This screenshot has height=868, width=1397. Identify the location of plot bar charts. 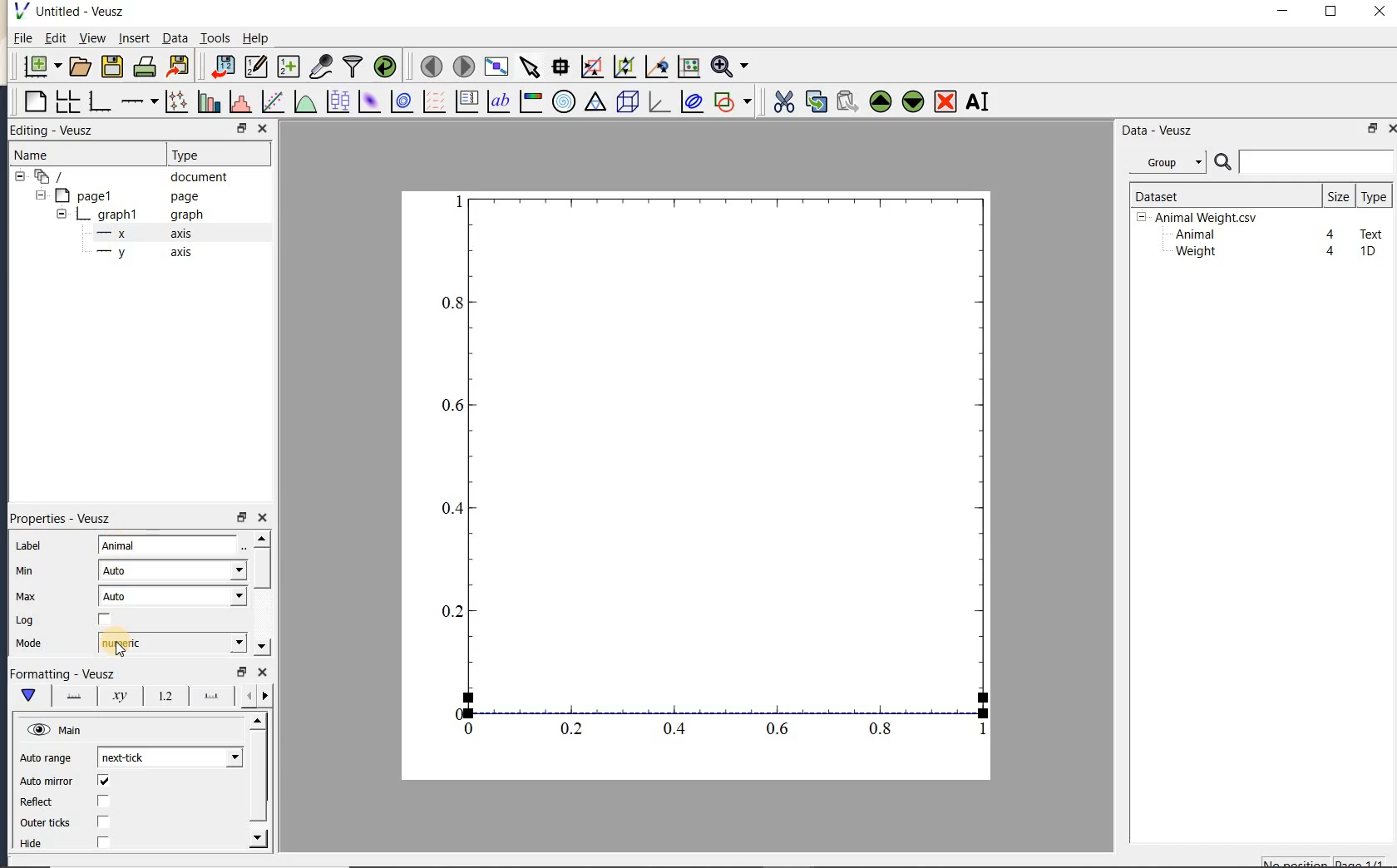
(209, 101).